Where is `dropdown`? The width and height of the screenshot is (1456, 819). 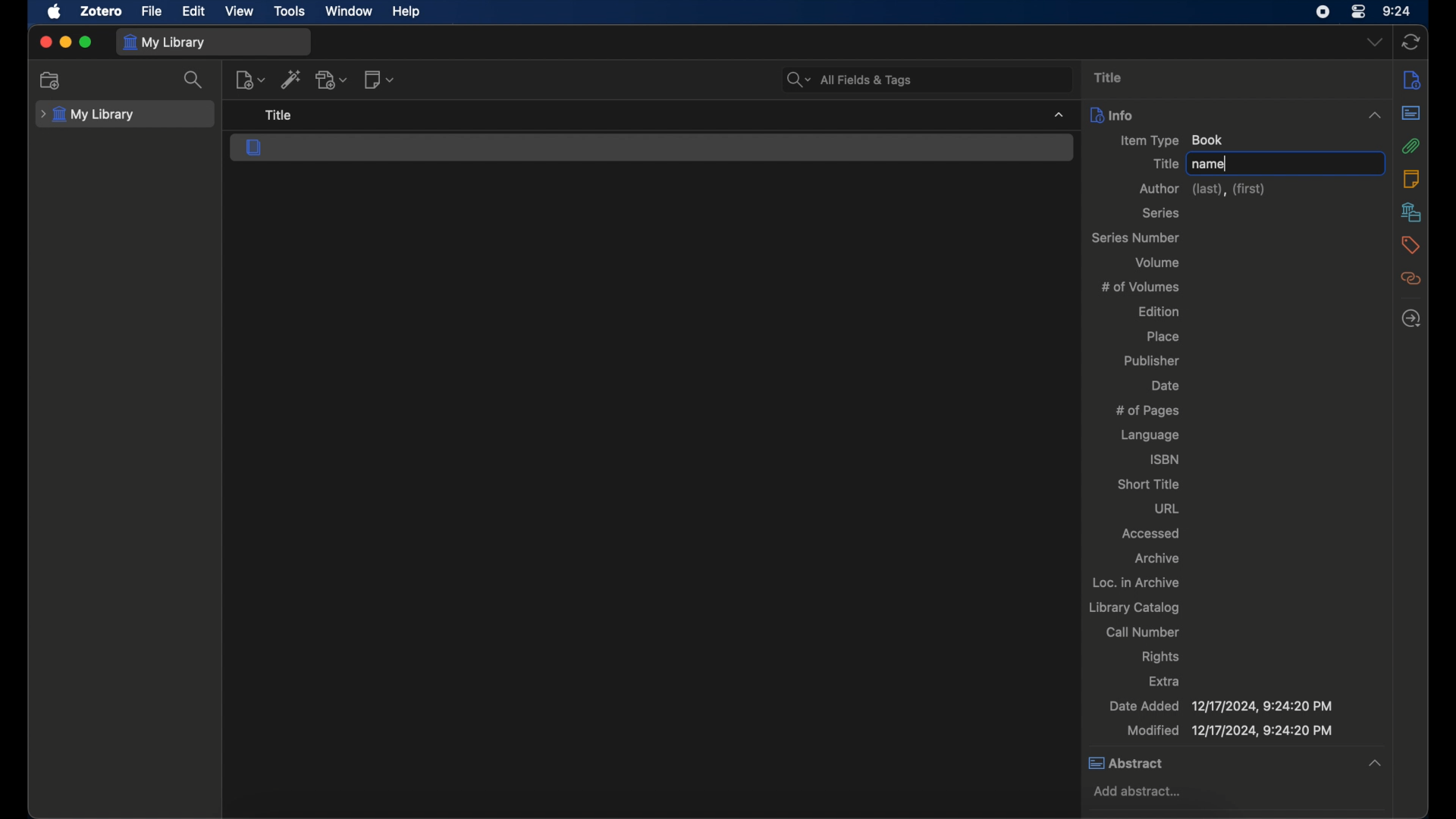 dropdown is located at coordinates (1376, 42).